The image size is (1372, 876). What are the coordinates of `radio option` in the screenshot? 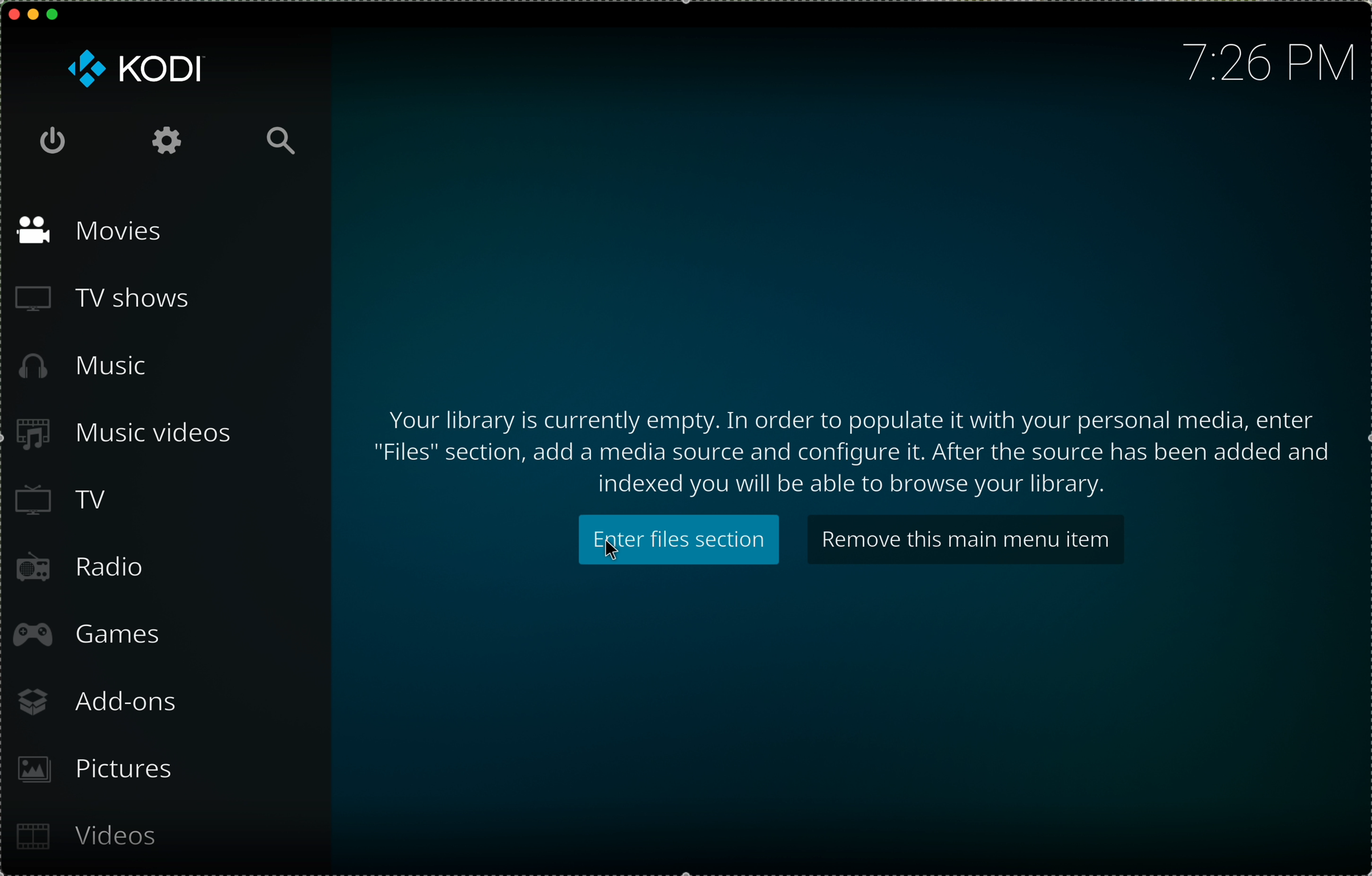 It's located at (76, 566).